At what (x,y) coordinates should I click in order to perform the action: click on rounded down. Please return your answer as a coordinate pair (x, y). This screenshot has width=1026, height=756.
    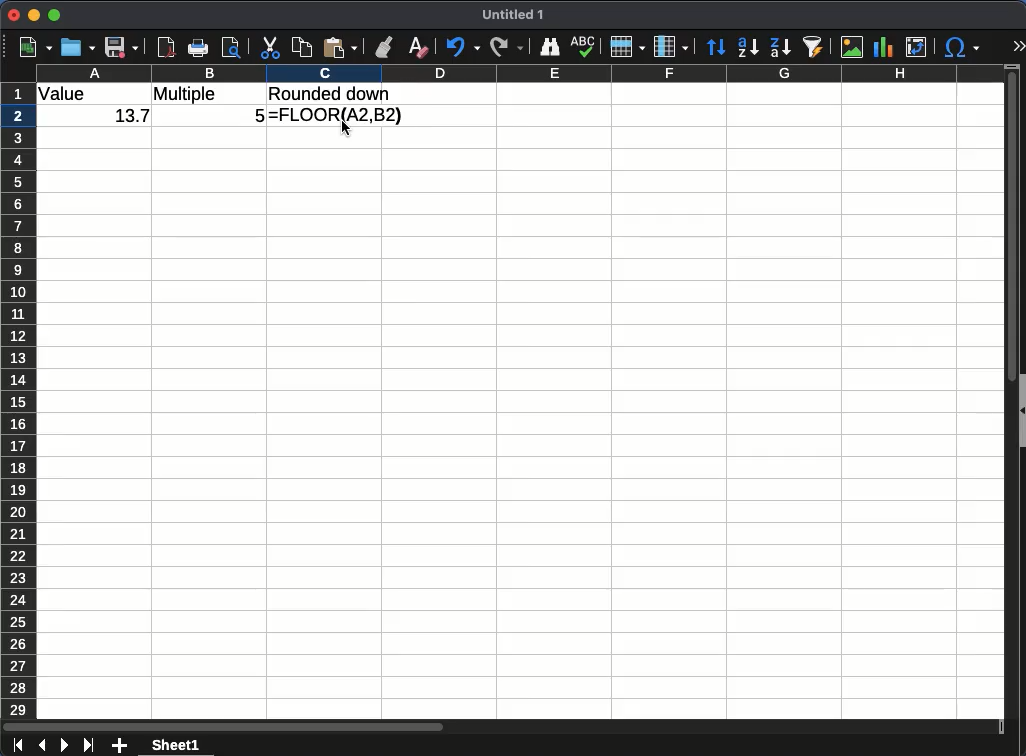
    Looking at the image, I should click on (331, 93).